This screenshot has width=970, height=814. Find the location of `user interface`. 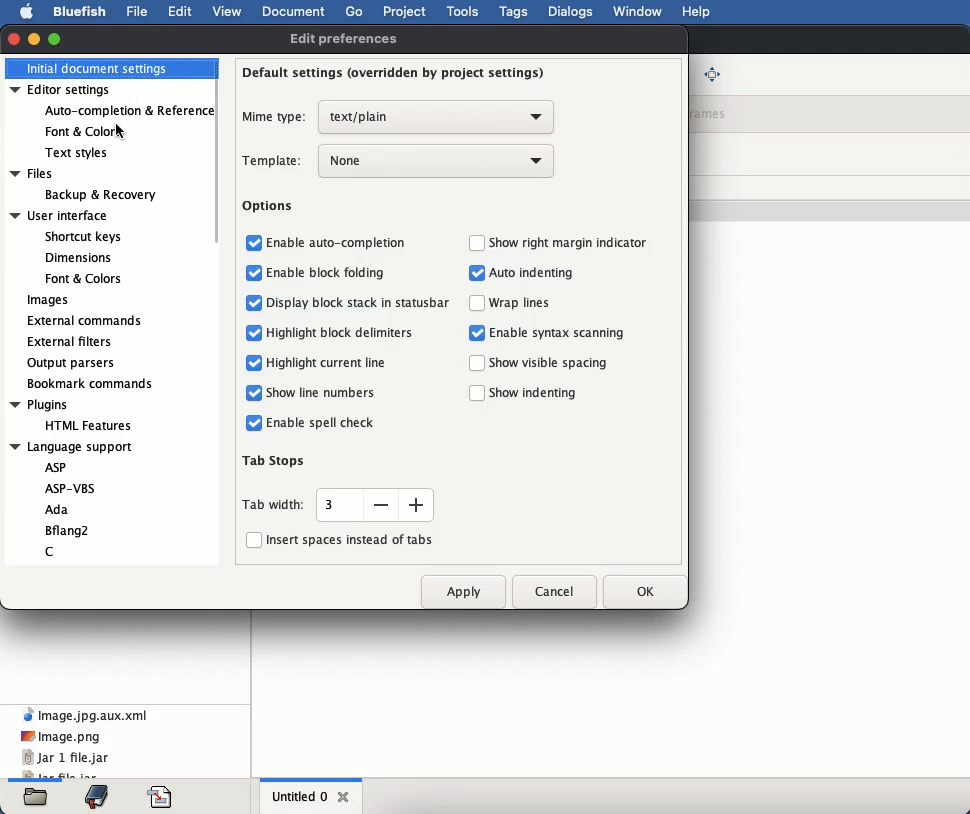

user interface is located at coordinates (69, 248).